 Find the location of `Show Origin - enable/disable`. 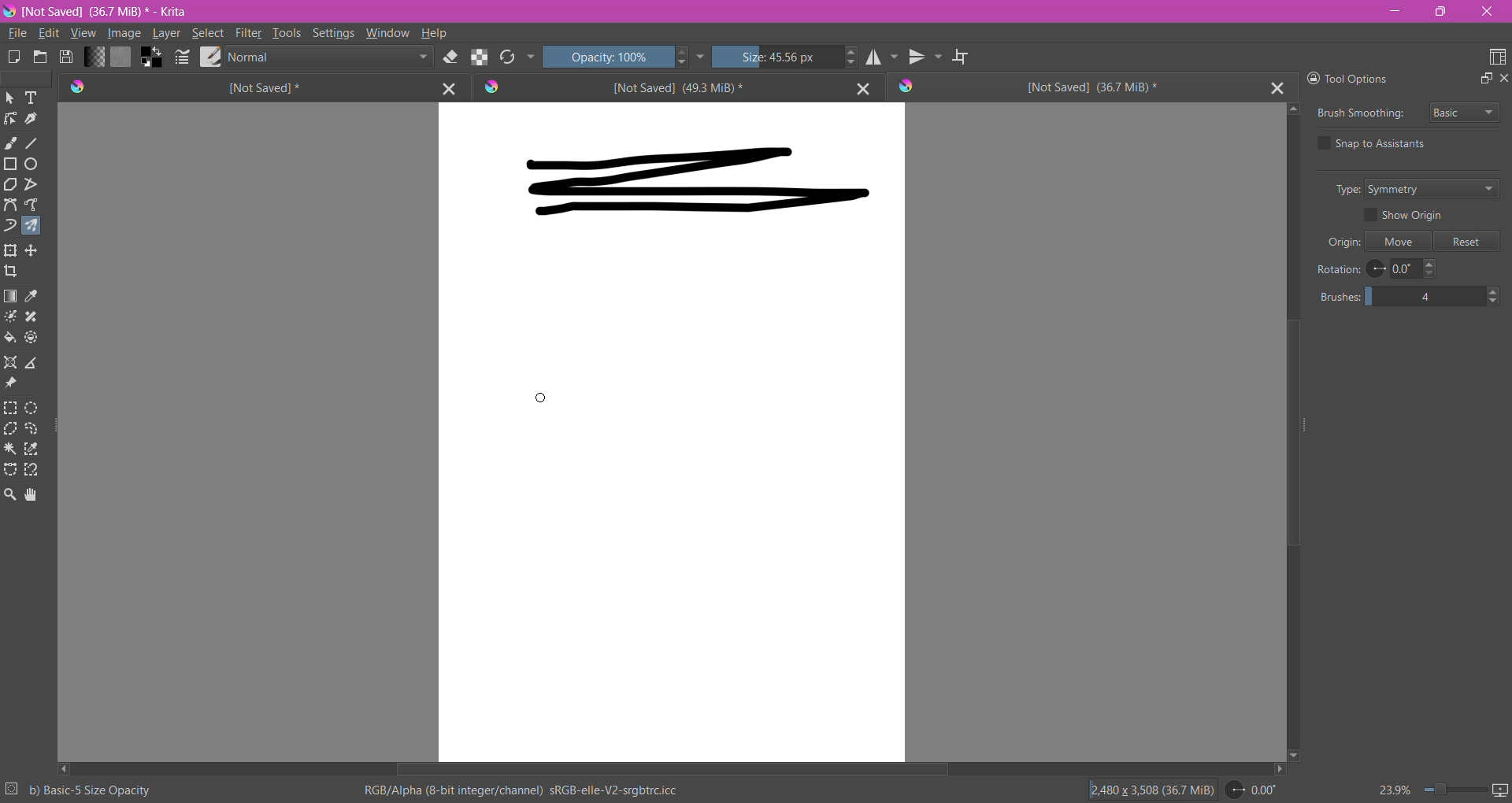

Show Origin - enable/disable is located at coordinates (1409, 216).